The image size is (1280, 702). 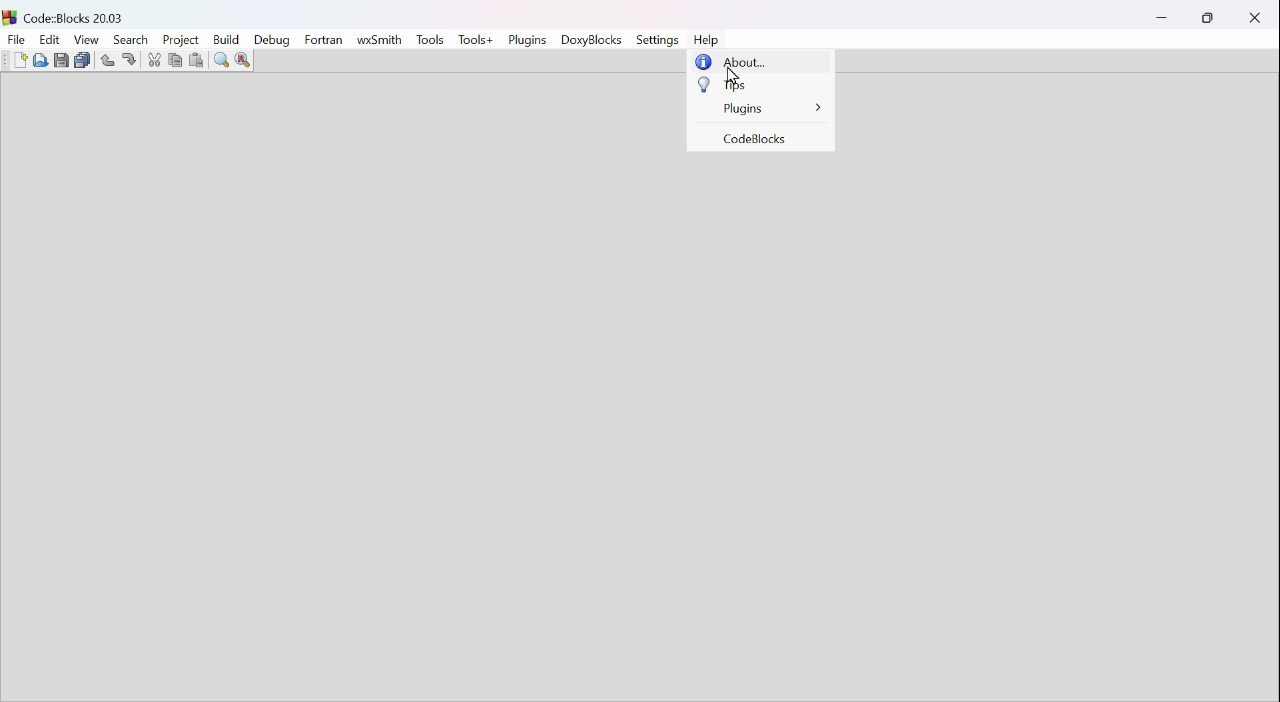 What do you see at coordinates (152, 60) in the screenshot?
I see `Cut` at bounding box center [152, 60].